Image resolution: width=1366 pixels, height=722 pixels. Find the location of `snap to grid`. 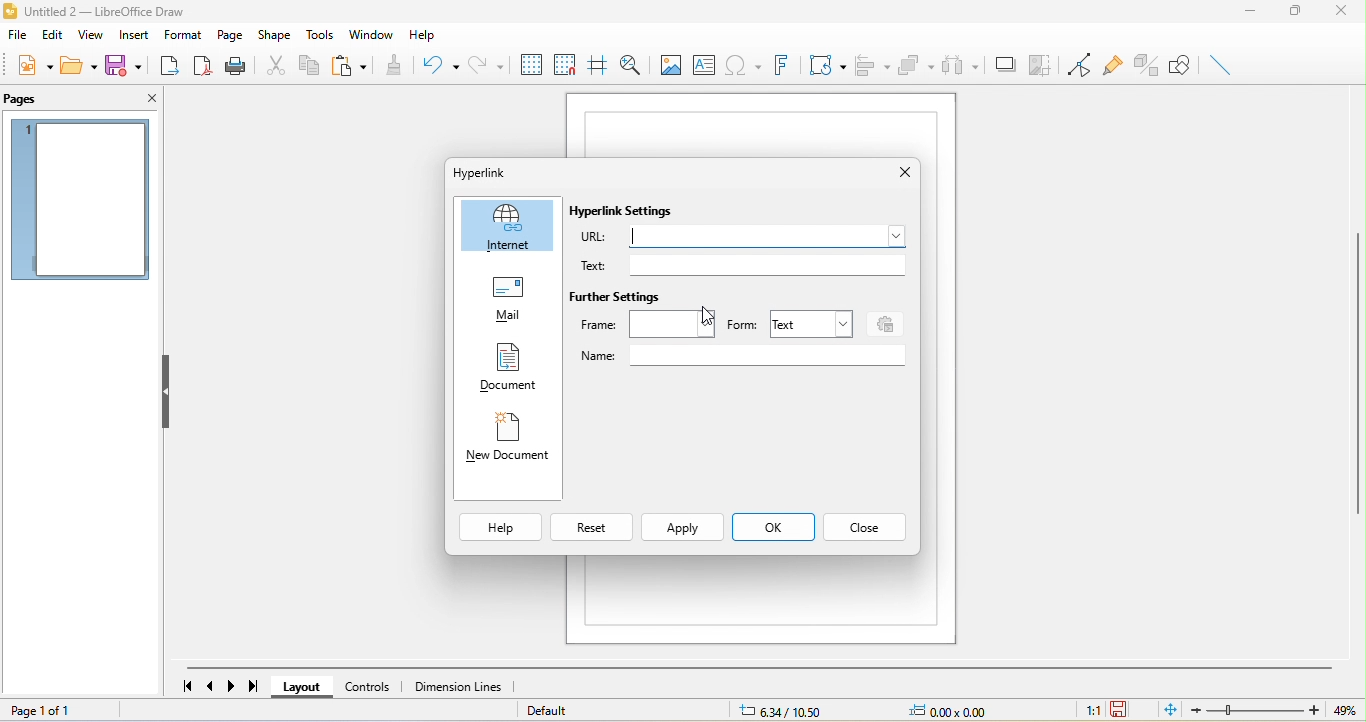

snap to grid is located at coordinates (565, 64).